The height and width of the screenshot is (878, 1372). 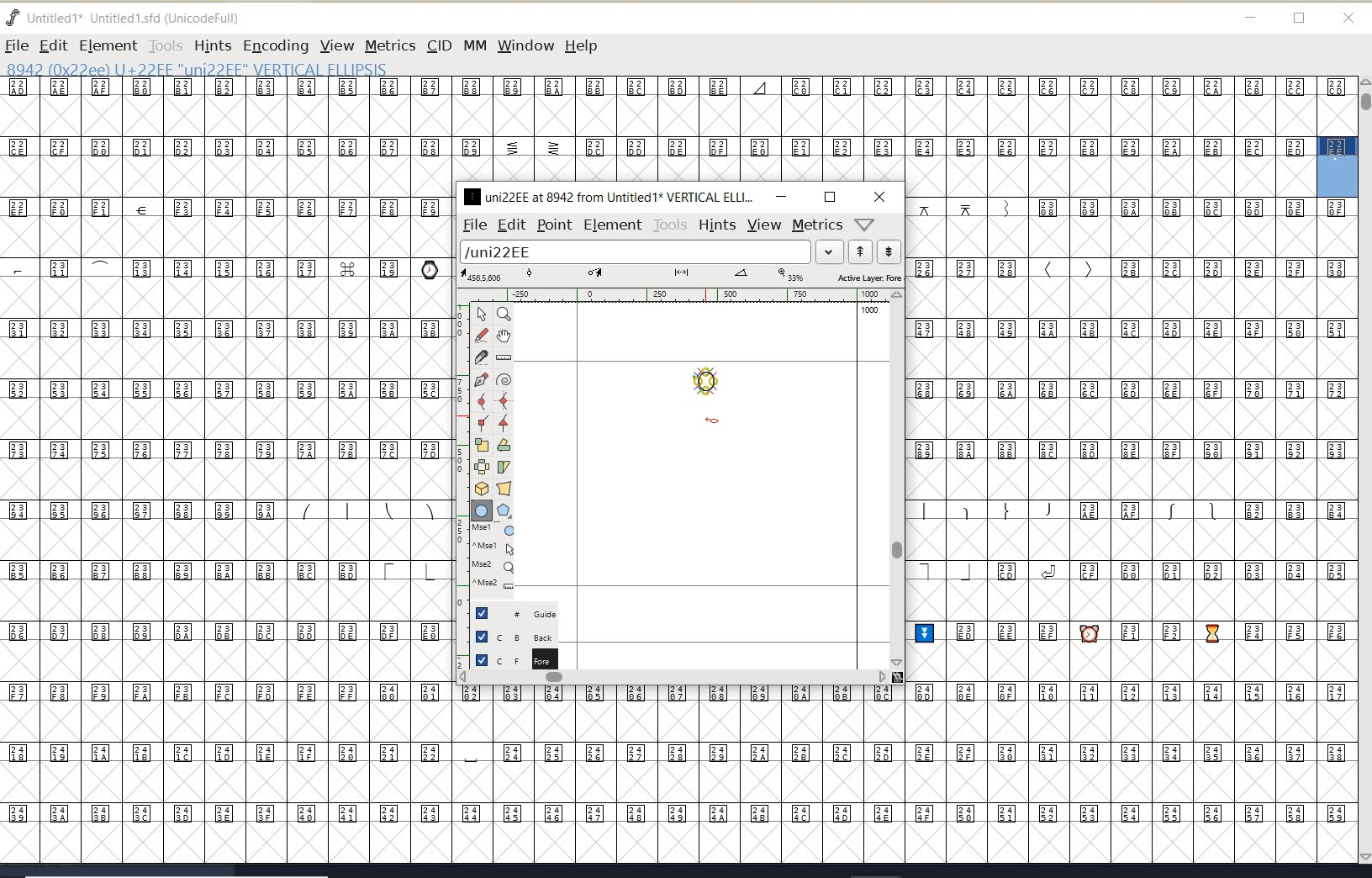 I want to click on hints, so click(x=716, y=225).